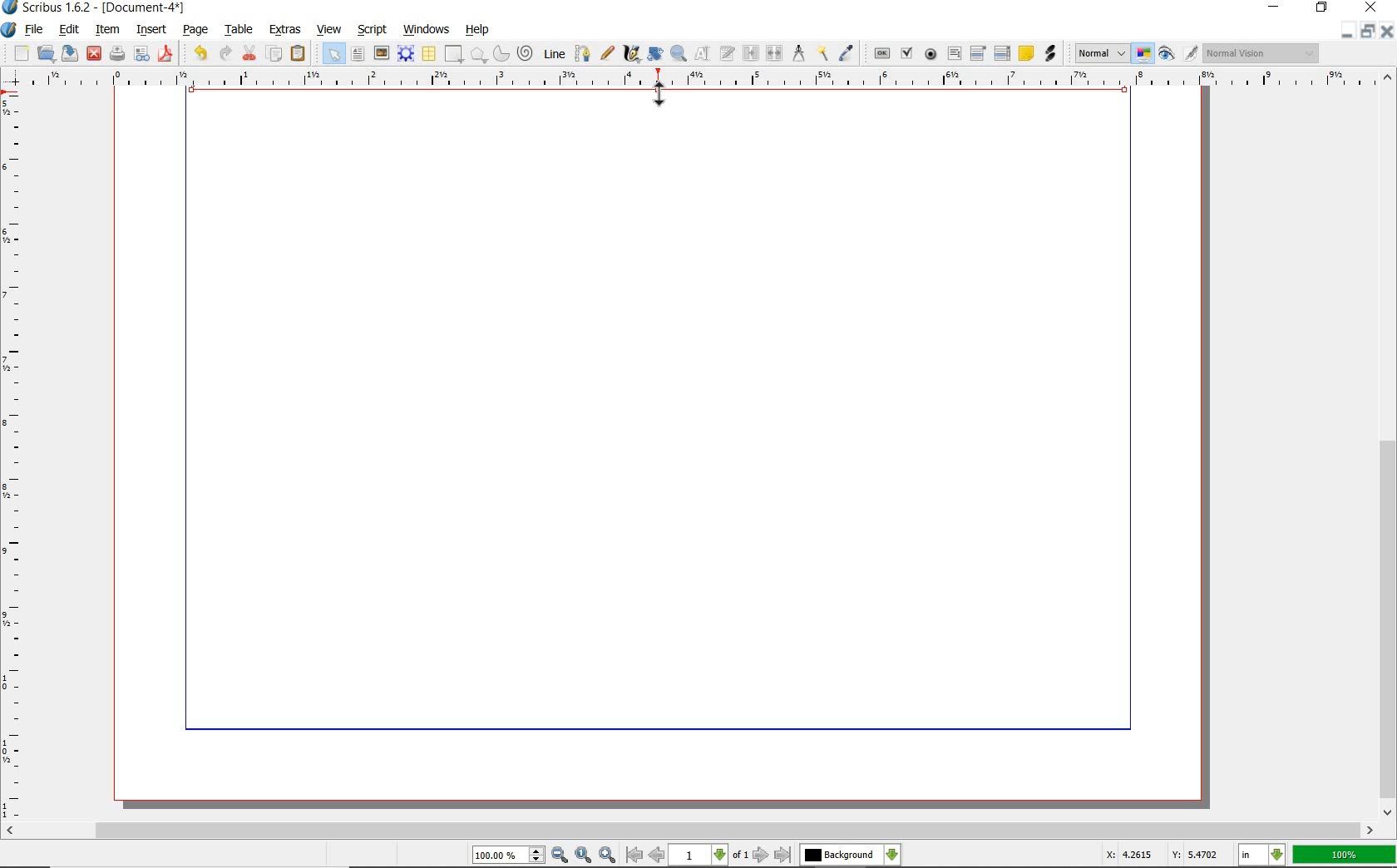 The image size is (1397, 868). Describe the element at coordinates (510, 856) in the screenshot. I see `100.00%` at that location.